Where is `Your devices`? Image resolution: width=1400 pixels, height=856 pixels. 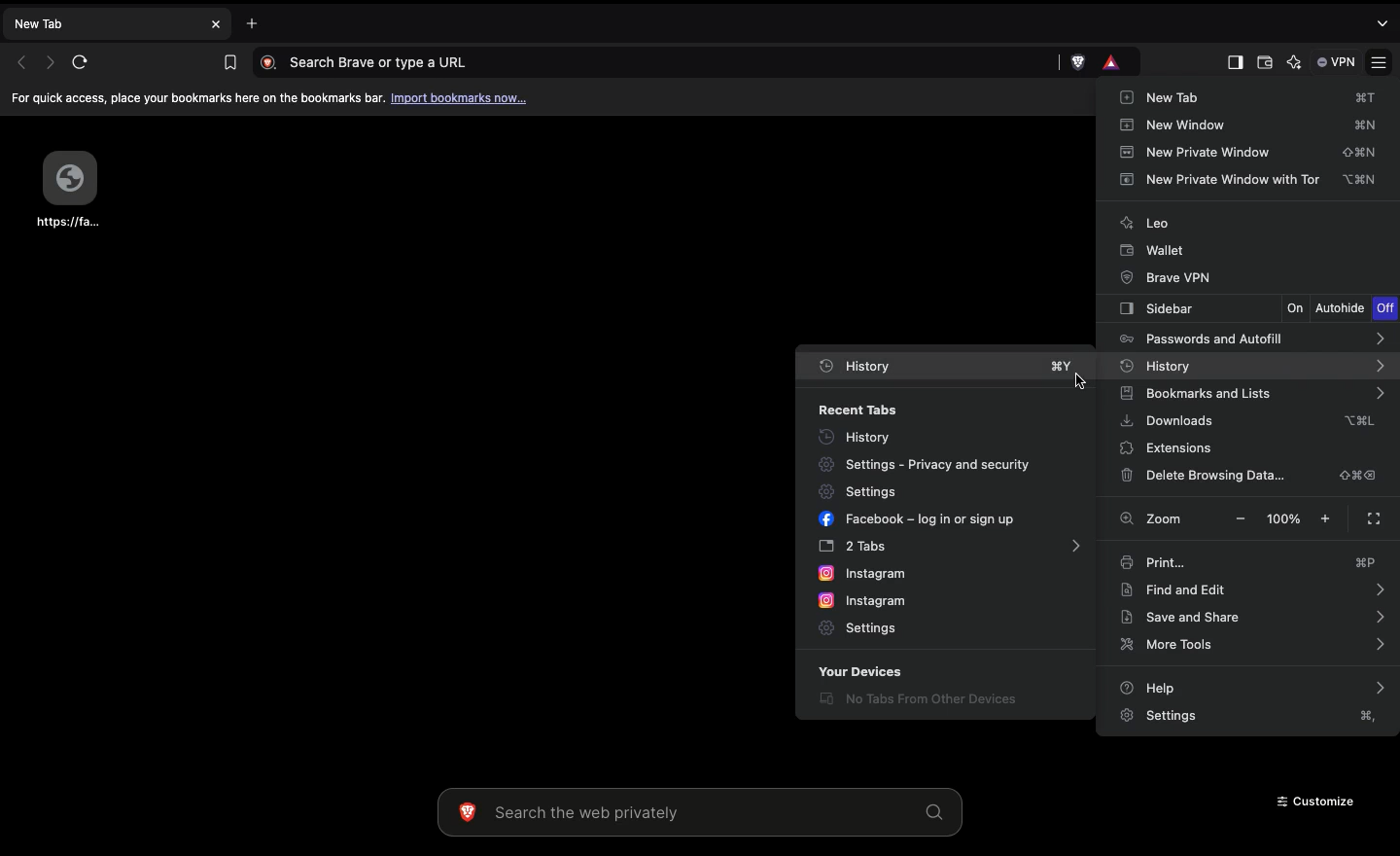
Your devices is located at coordinates (864, 671).